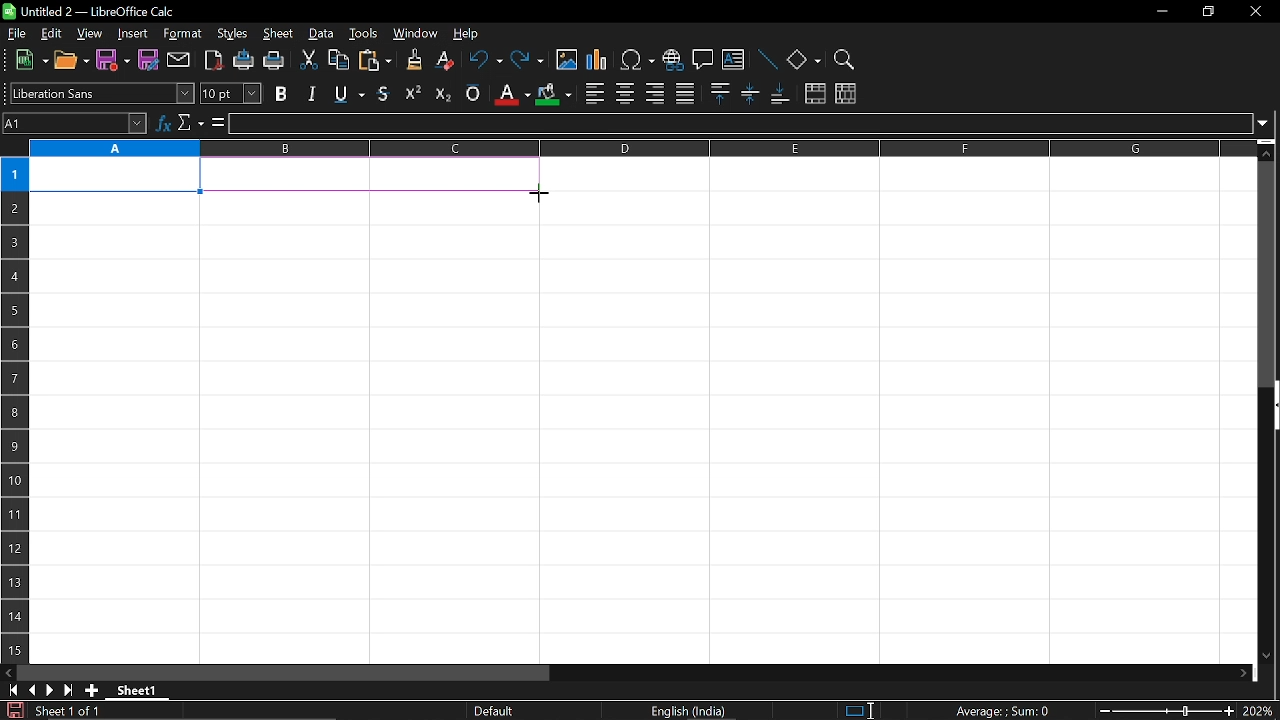  I want to click on Cursor, so click(546, 194).